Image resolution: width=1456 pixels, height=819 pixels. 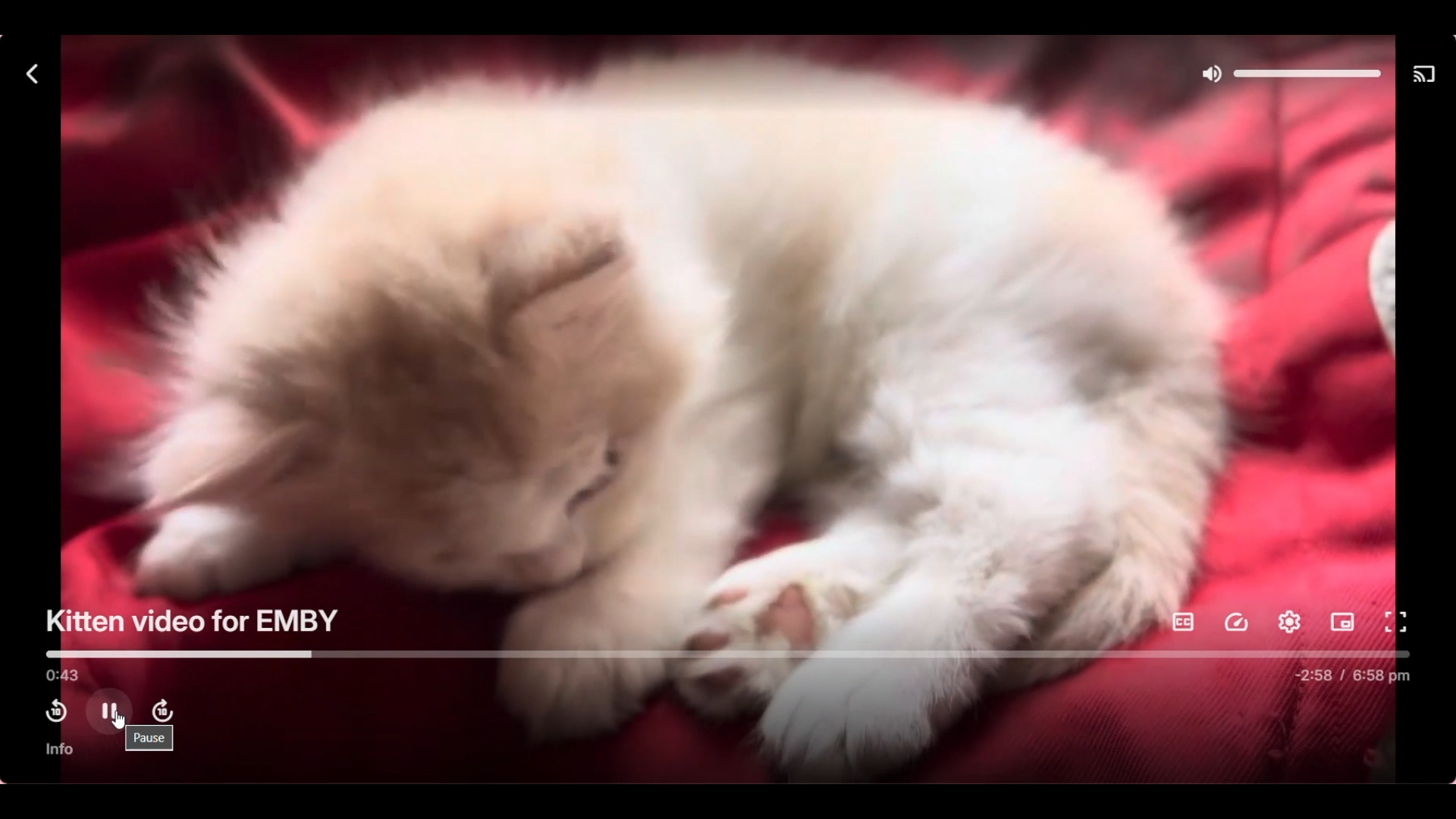 I want to click on Settings, so click(x=1290, y=622).